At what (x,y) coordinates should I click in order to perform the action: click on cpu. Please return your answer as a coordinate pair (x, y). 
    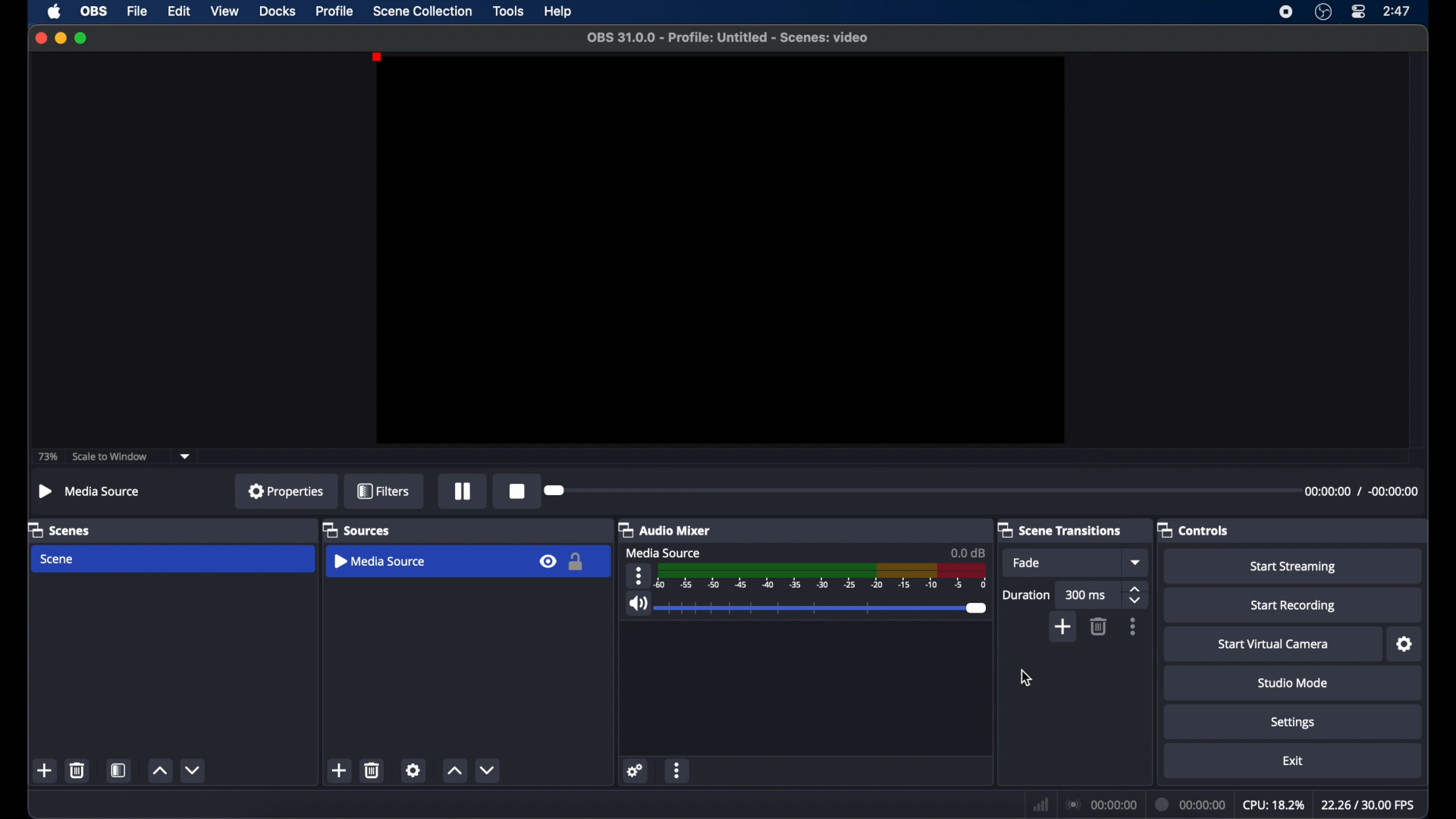
    Looking at the image, I should click on (1273, 805).